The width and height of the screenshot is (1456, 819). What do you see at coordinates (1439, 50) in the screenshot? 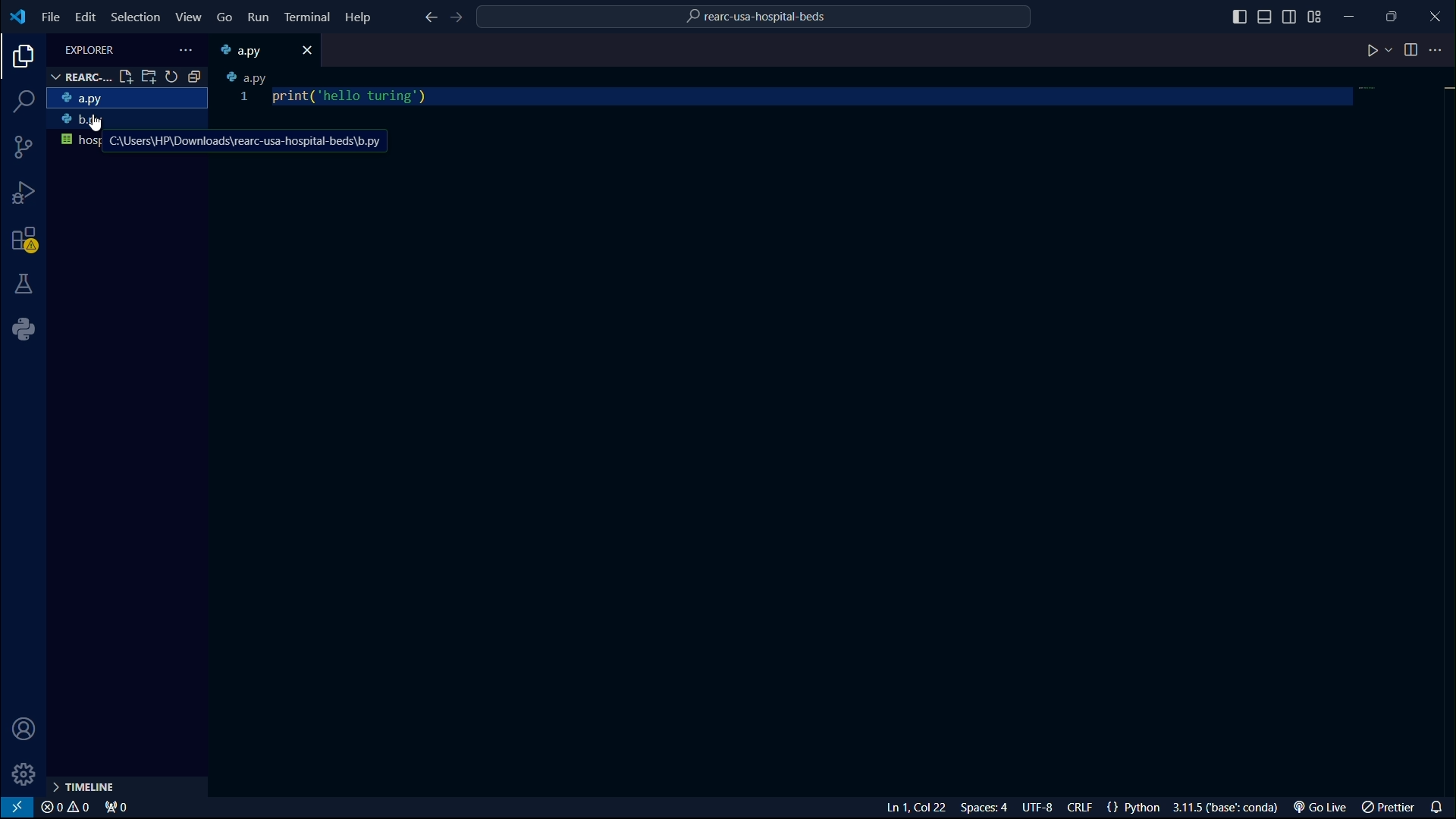
I see `more actions` at bounding box center [1439, 50].